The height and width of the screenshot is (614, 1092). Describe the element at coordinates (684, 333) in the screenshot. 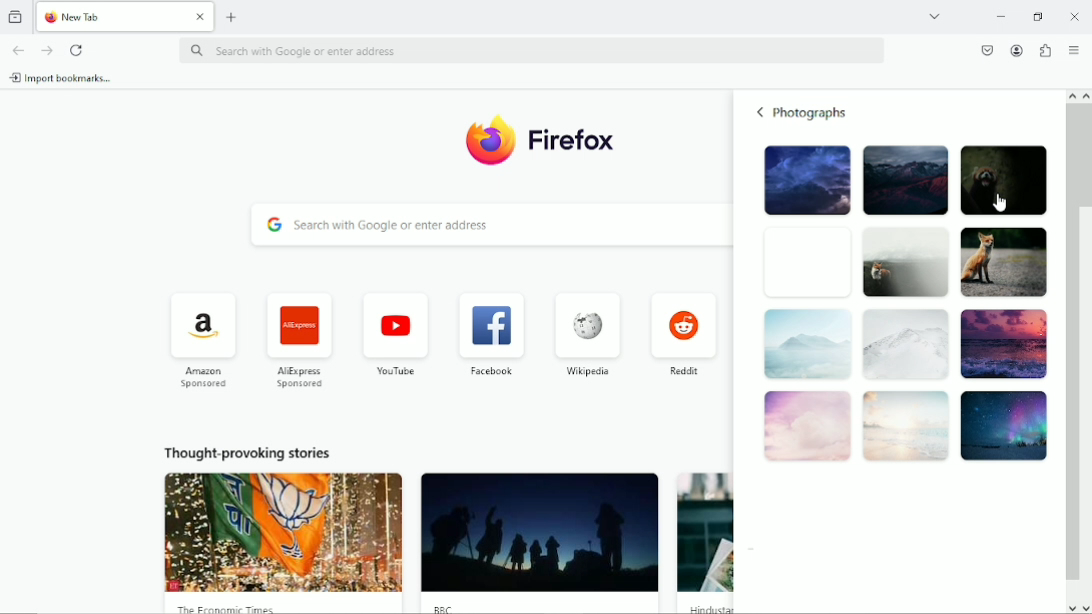

I see `Reddit` at that location.